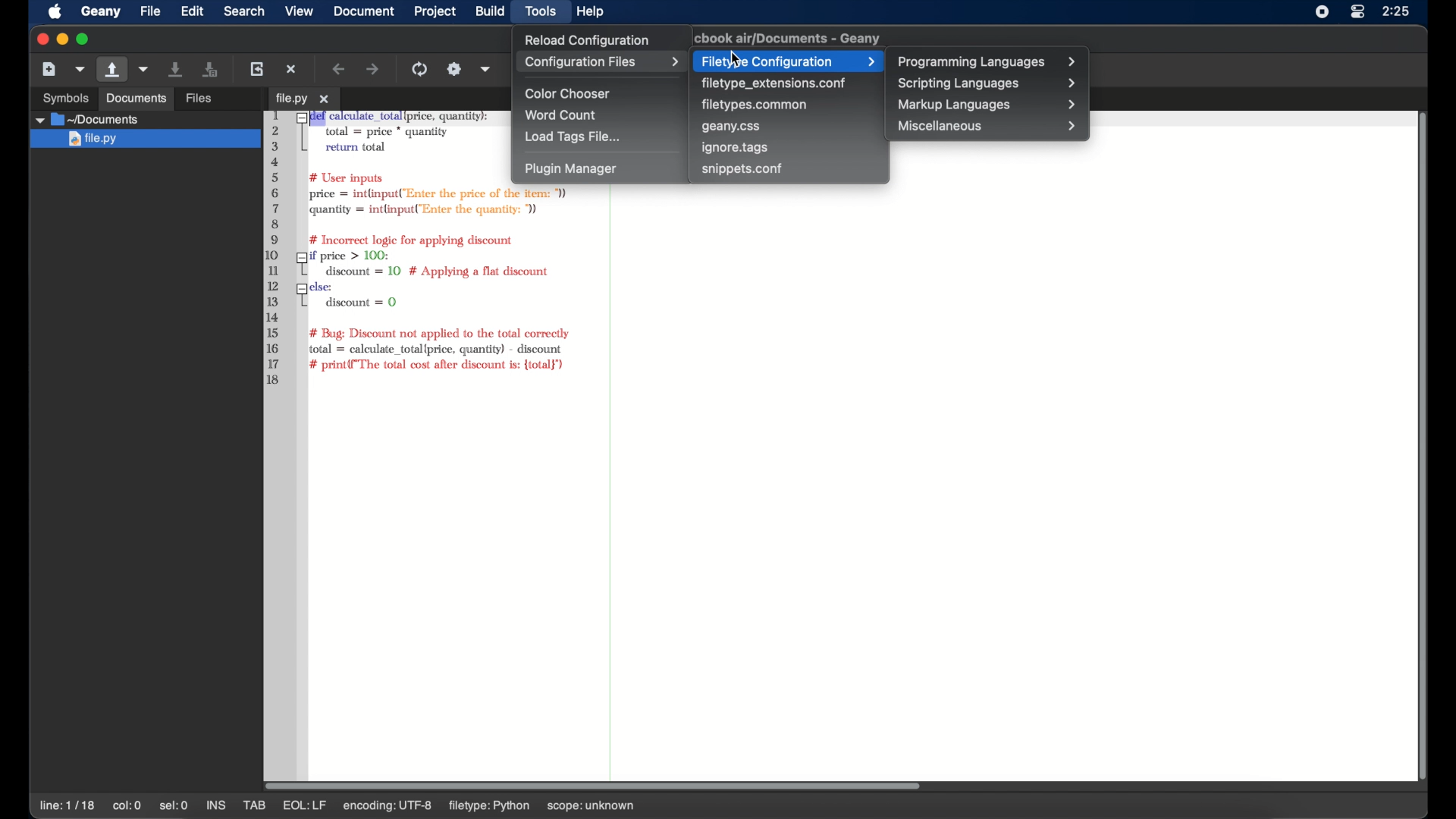  Describe the element at coordinates (732, 127) in the screenshot. I see `geany.cs` at that location.